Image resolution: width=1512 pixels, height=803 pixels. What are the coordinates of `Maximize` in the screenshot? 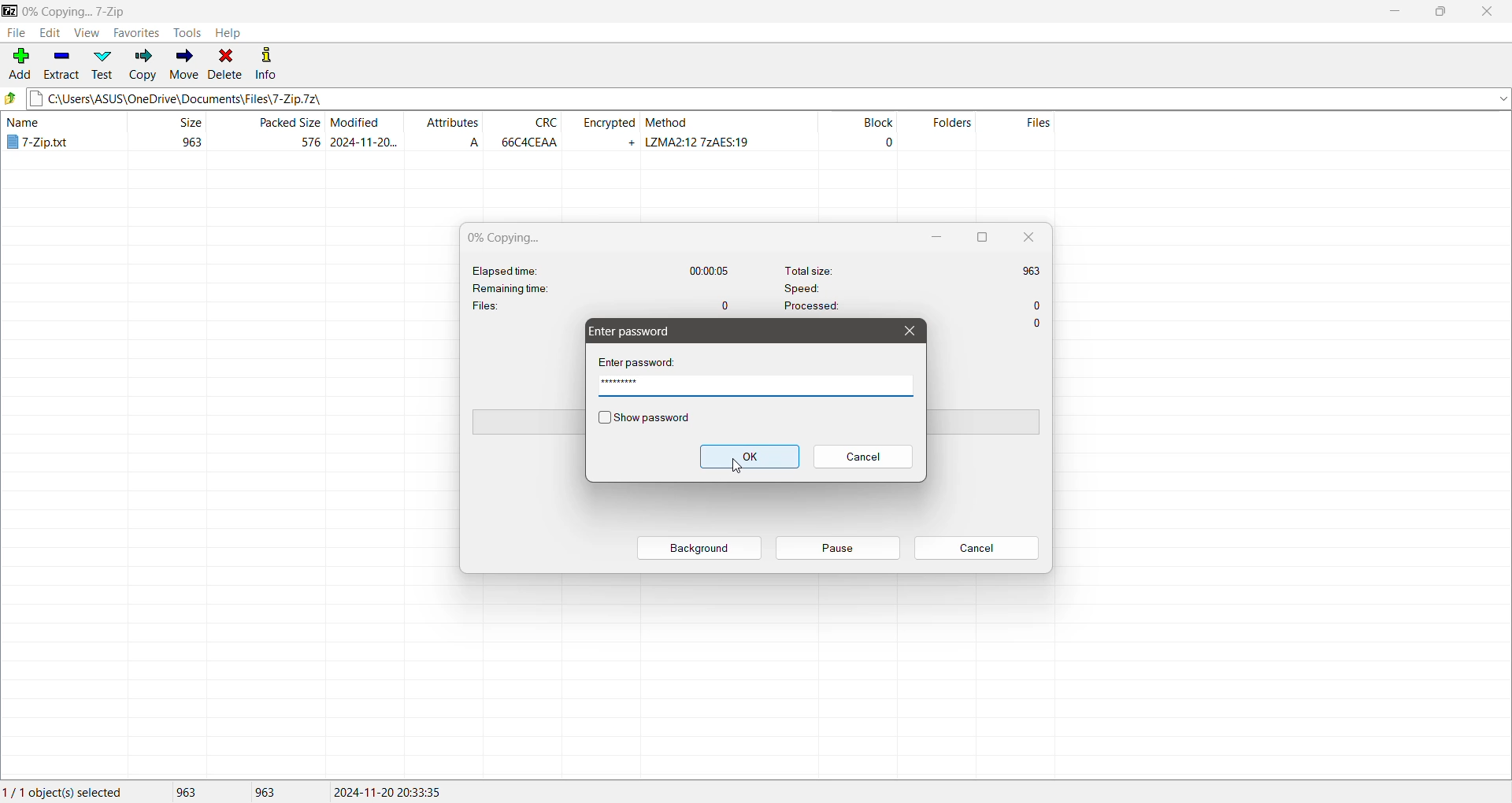 It's located at (980, 237).